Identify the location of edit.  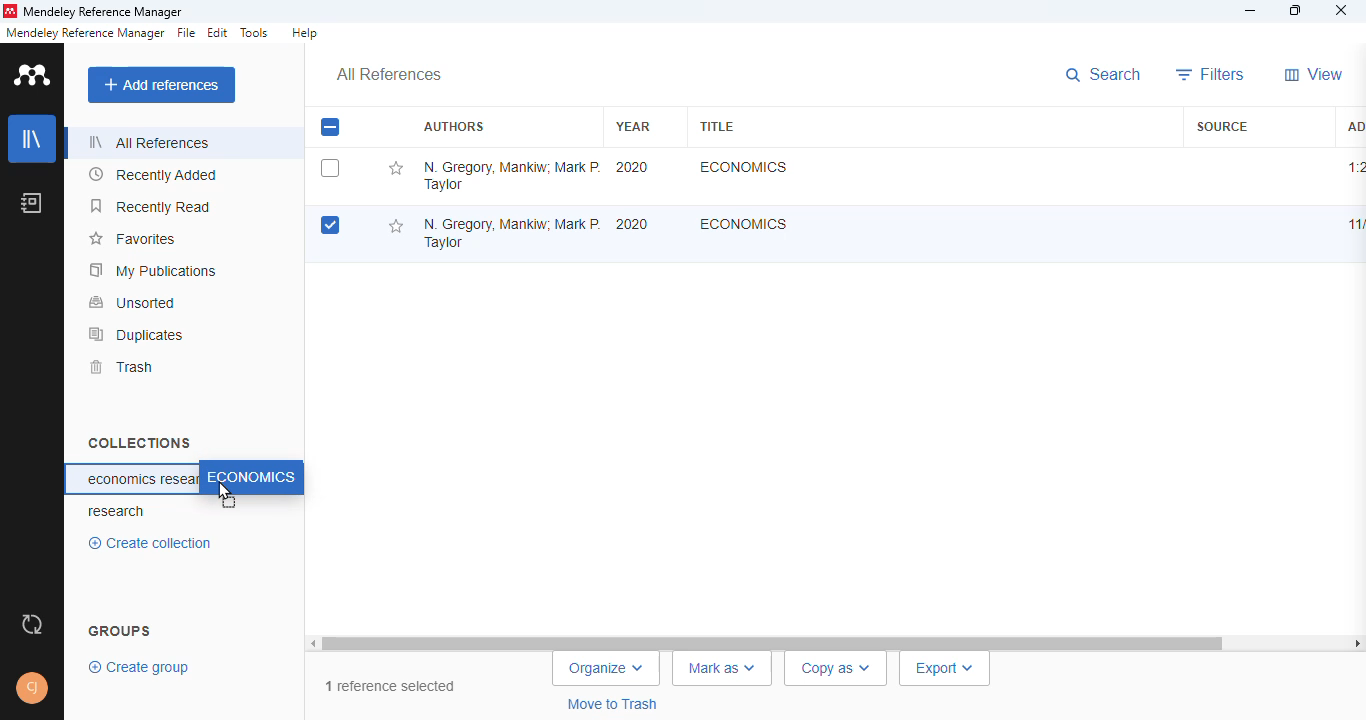
(219, 33).